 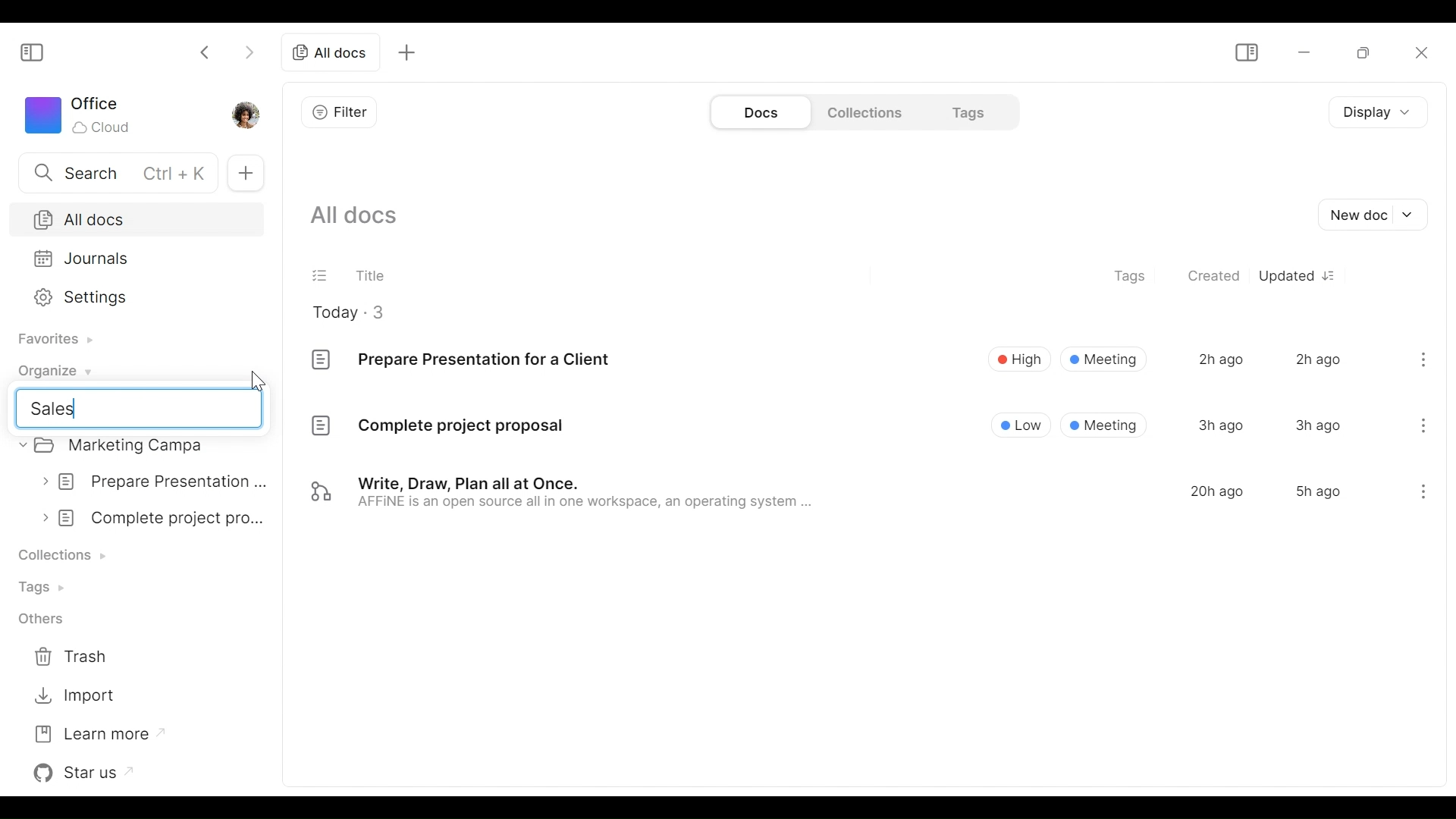 What do you see at coordinates (340, 111) in the screenshot?
I see `Filter` at bounding box center [340, 111].